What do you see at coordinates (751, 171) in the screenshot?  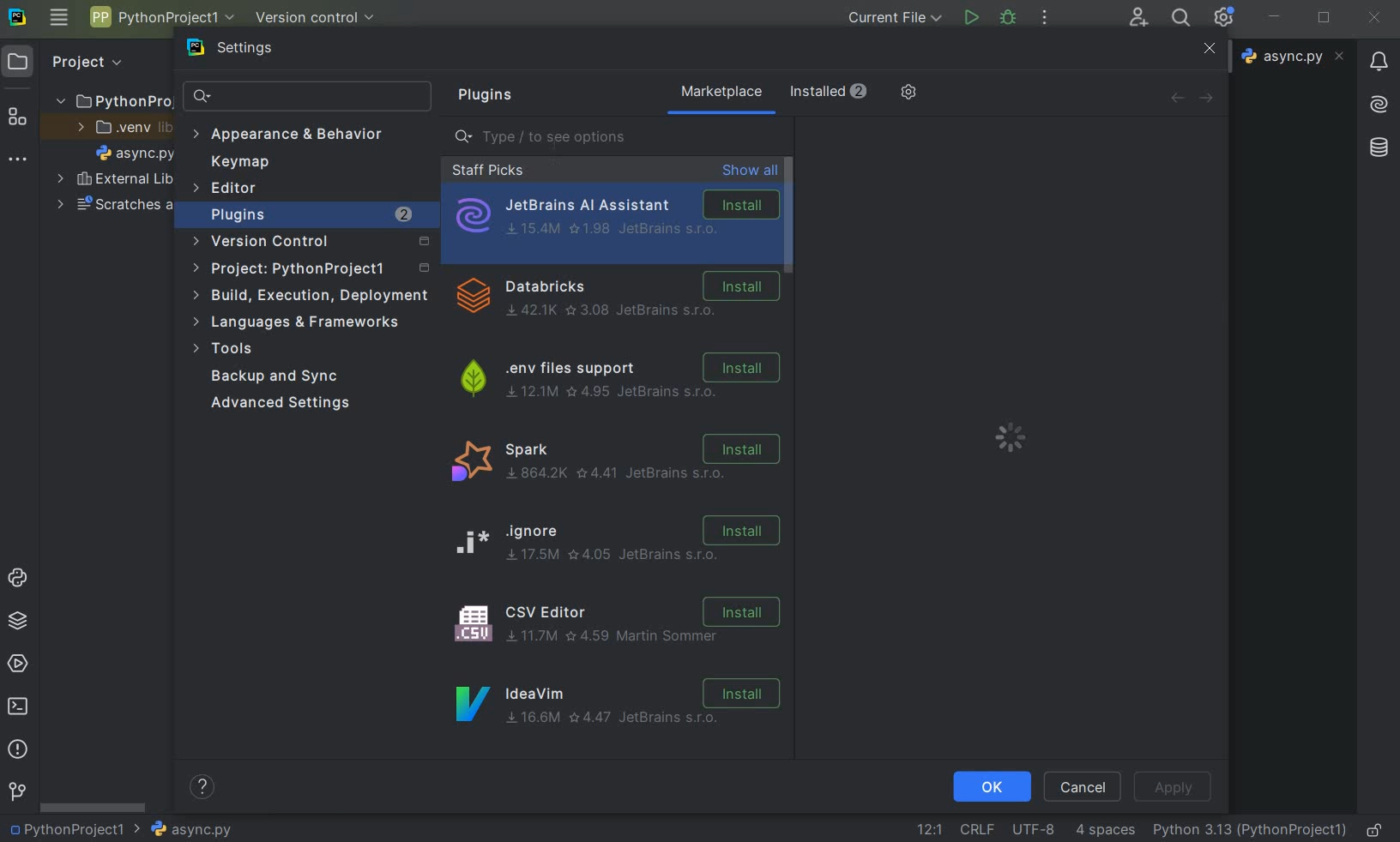 I see `show all` at bounding box center [751, 171].